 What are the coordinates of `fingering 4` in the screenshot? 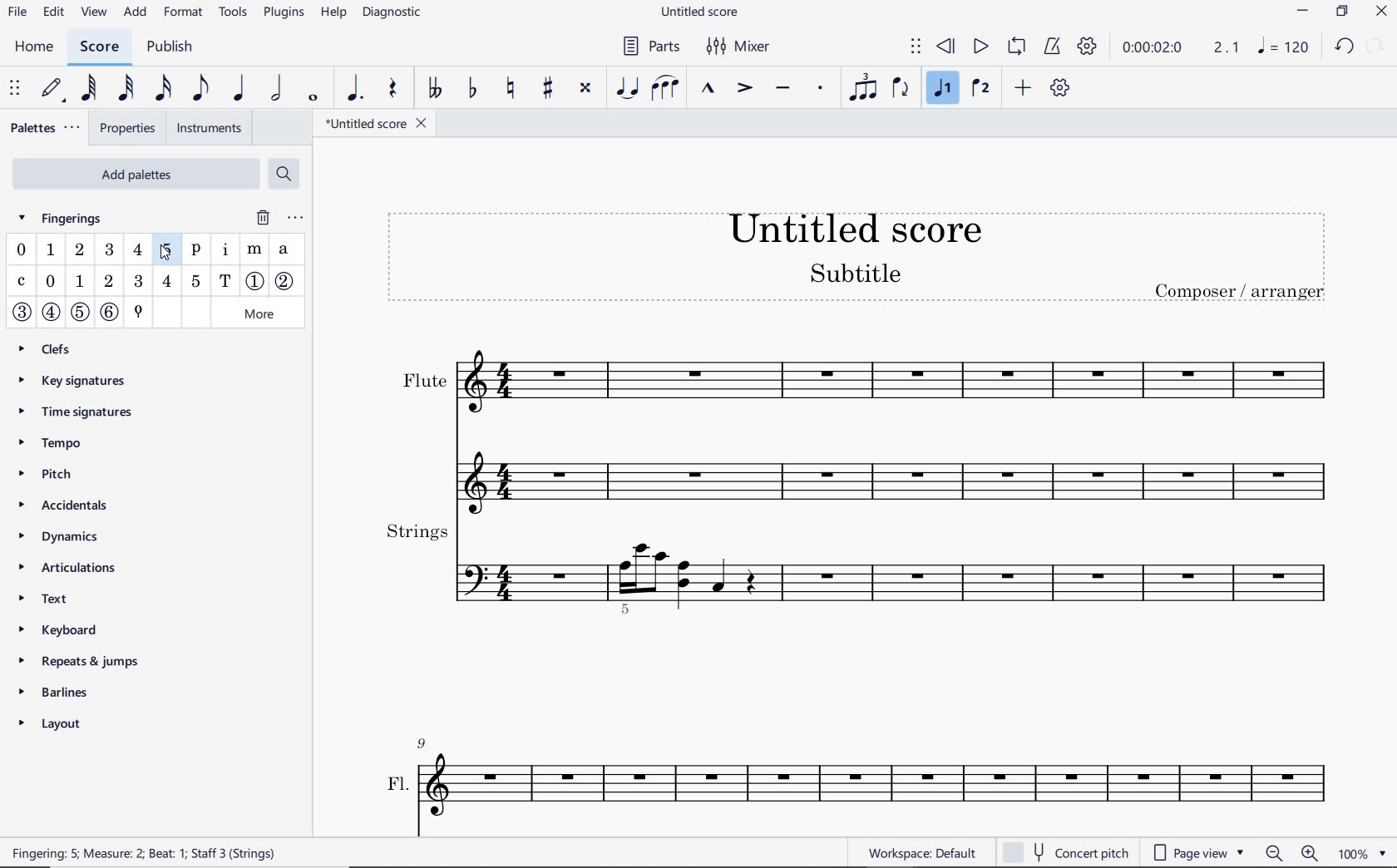 It's located at (137, 250).